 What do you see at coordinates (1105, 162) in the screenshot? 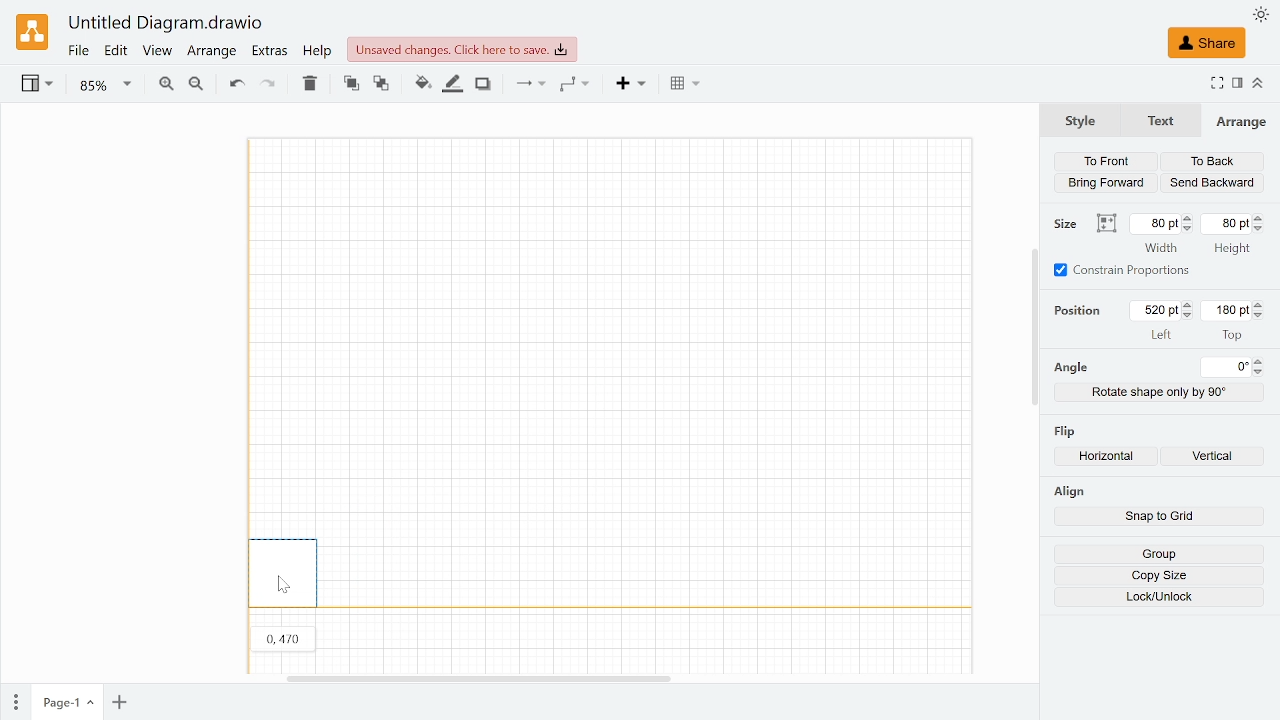
I see `To front` at bounding box center [1105, 162].